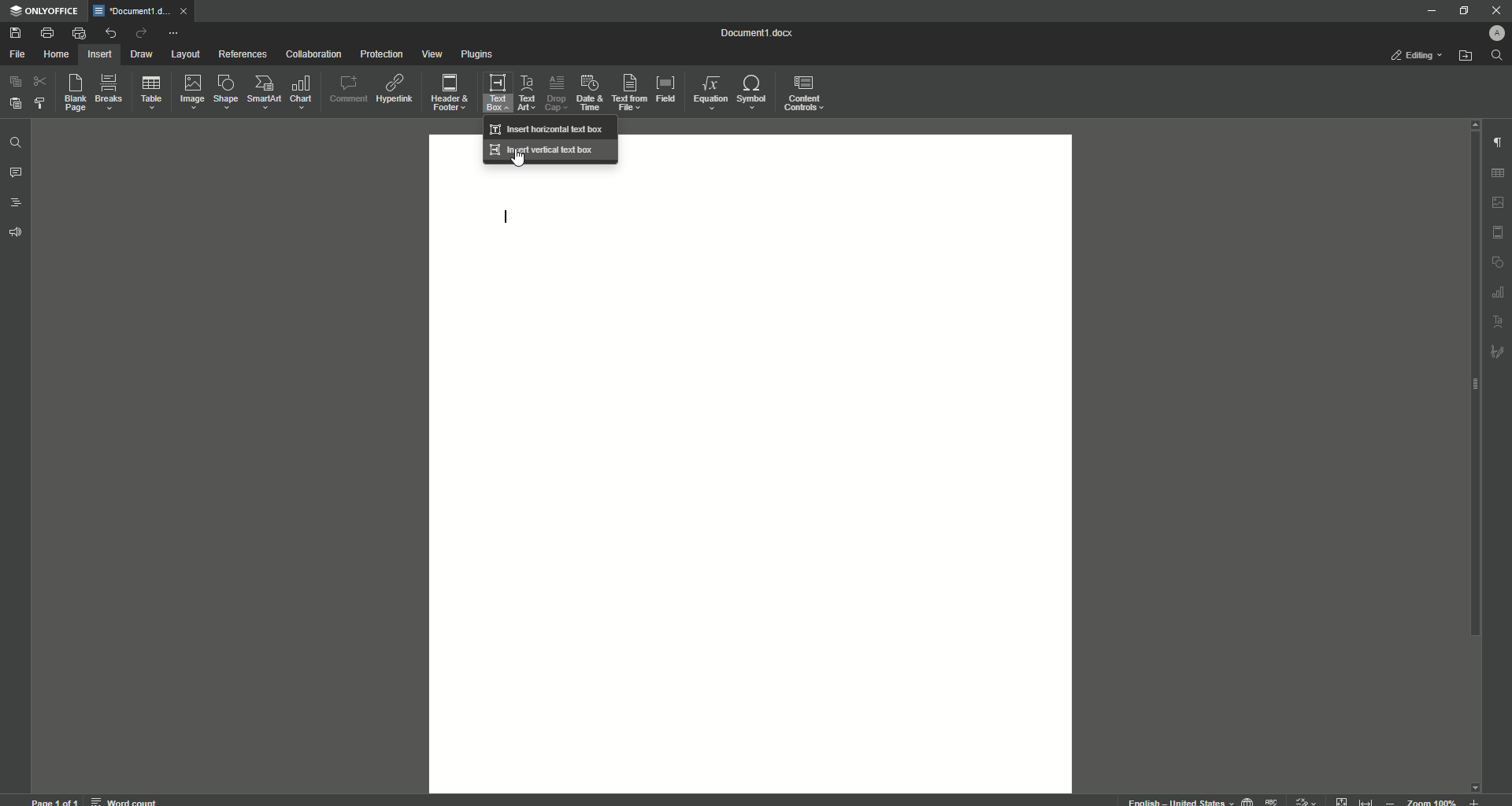 The height and width of the screenshot is (806, 1512). I want to click on zoom out or zoom in, so click(1436, 800).